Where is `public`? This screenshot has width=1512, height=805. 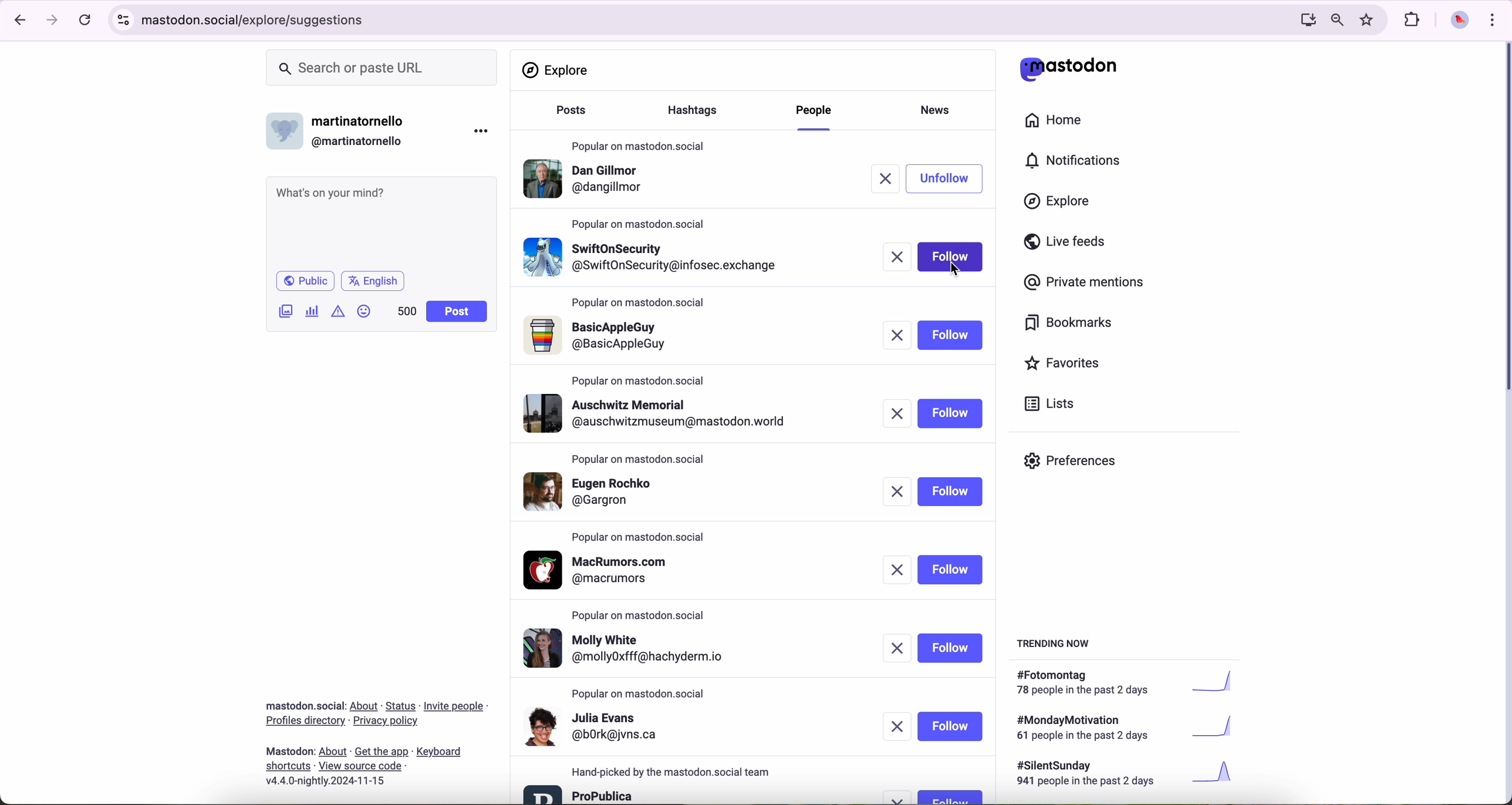
public is located at coordinates (304, 281).